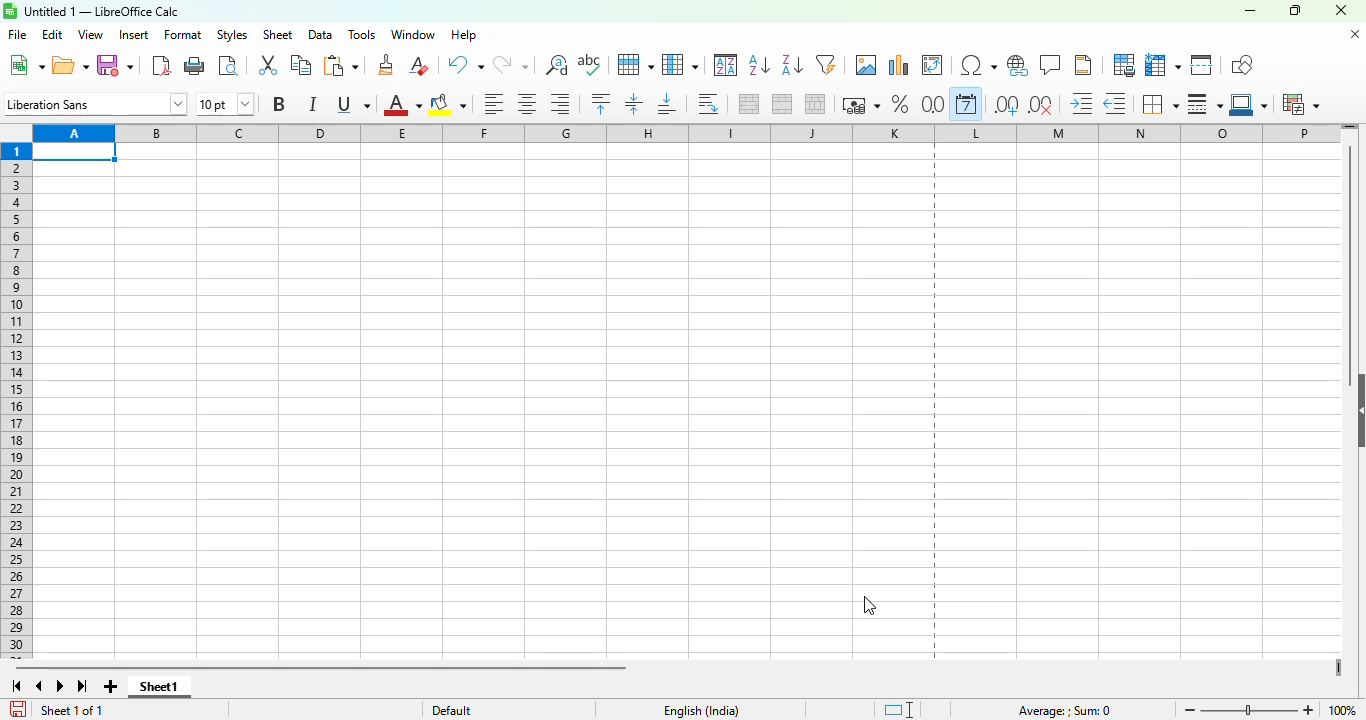  Describe the element at coordinates (111, 687) in the screenshot. I see `add new sheet` at that location.